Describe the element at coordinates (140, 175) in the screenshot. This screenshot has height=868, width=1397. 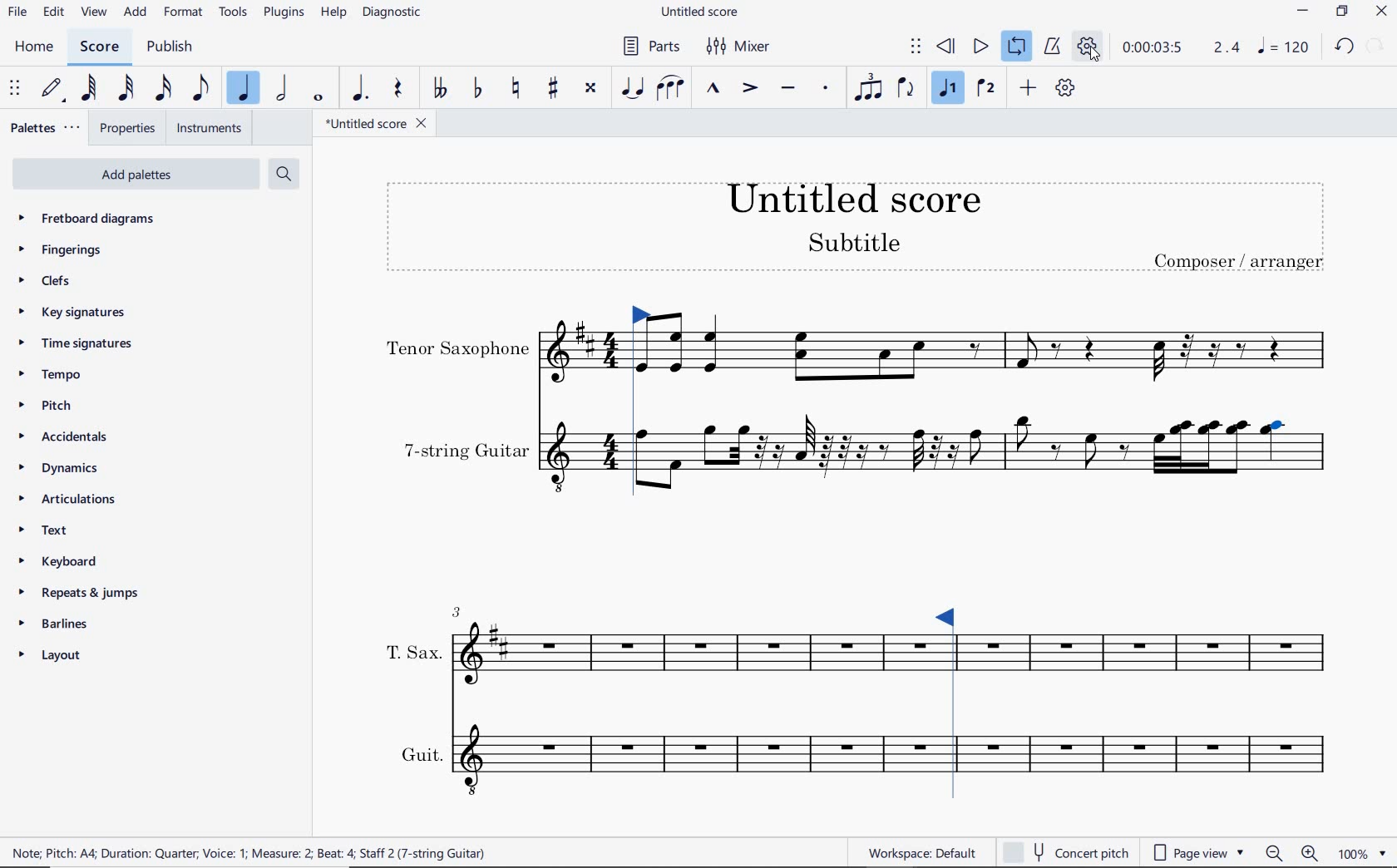
I see `ADD PALETTES` at that location.